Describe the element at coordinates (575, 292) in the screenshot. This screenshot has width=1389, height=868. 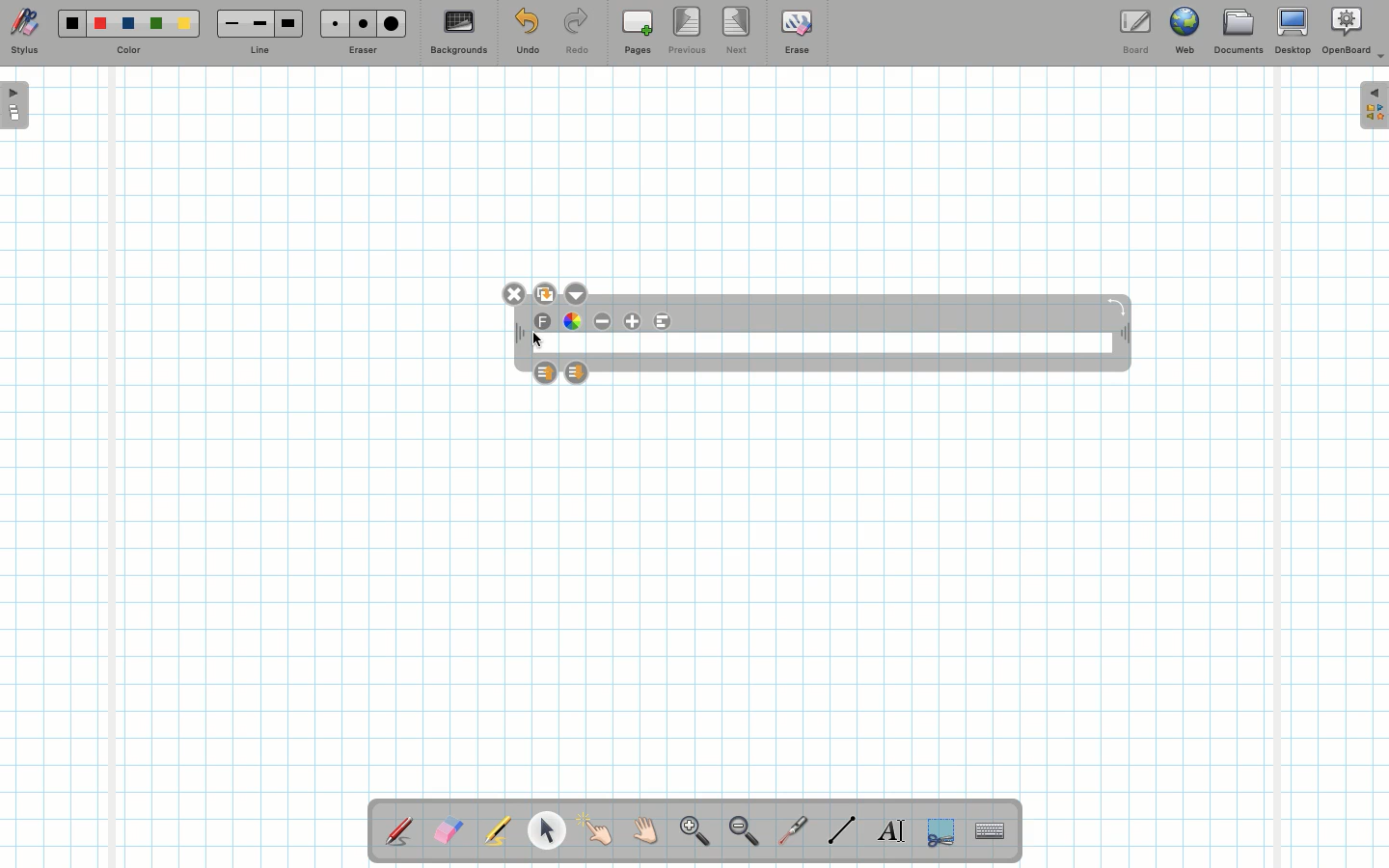
I see `Options` at that location.